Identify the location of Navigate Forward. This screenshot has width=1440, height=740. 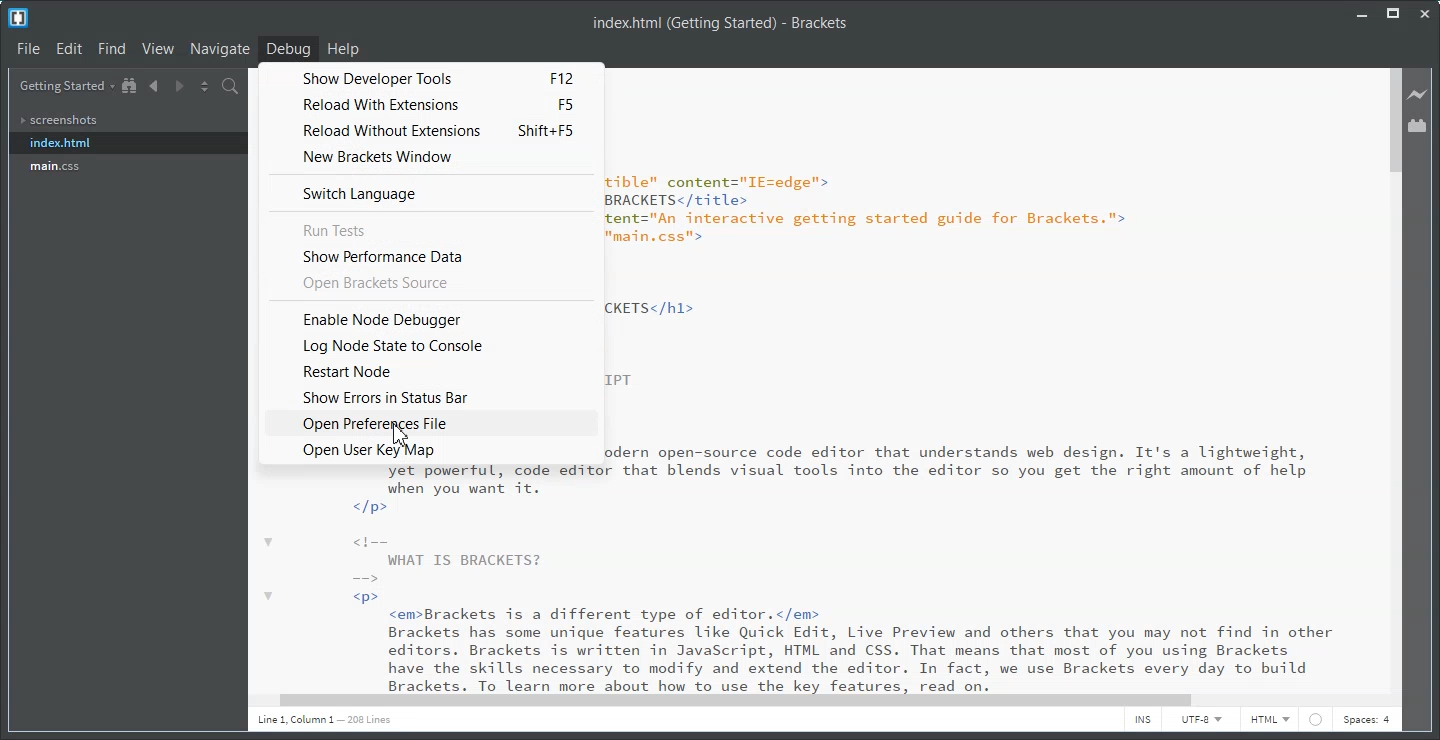
(177, 87).